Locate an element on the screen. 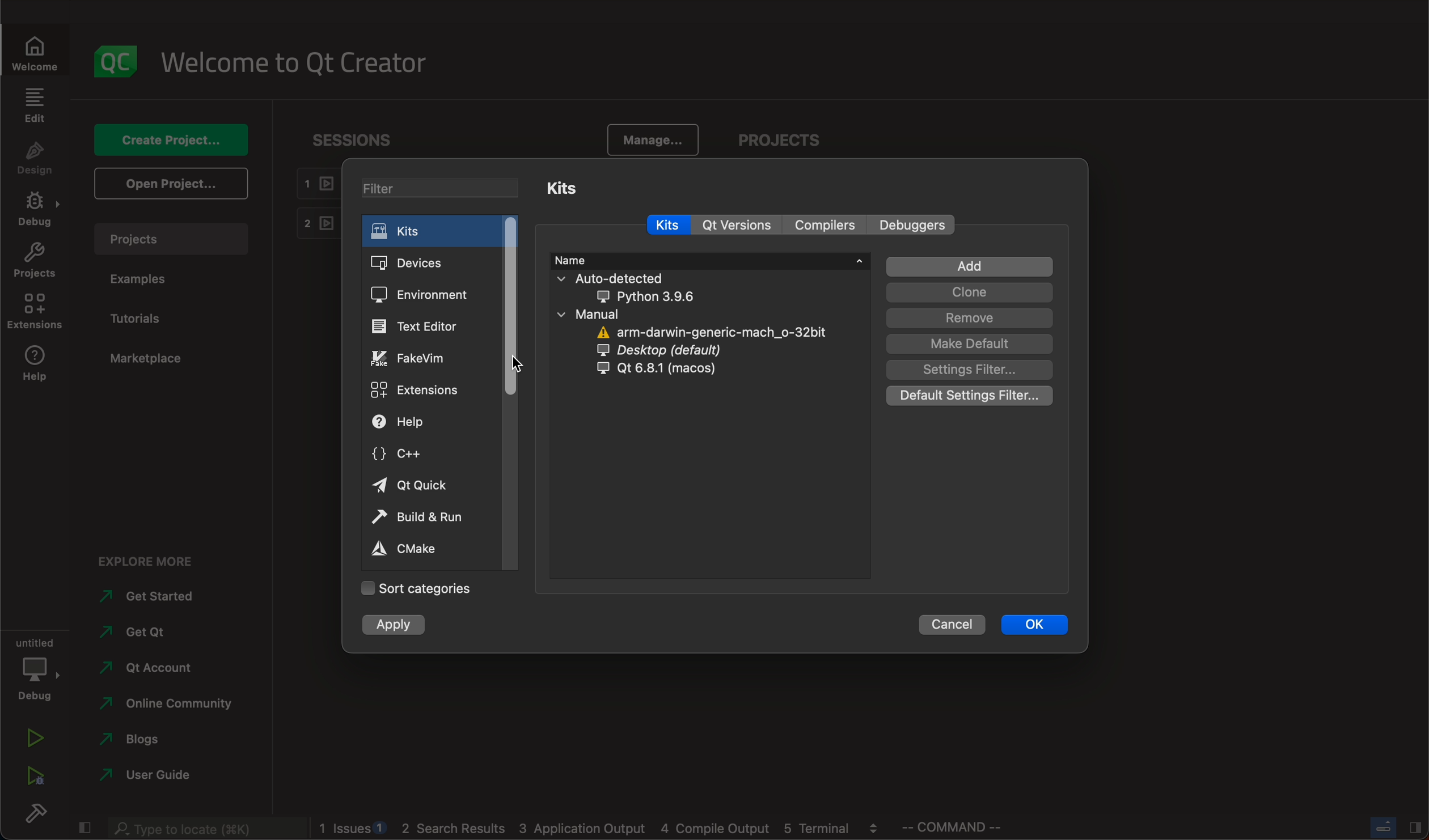  arm darmin is located at coordinates (708, 332).